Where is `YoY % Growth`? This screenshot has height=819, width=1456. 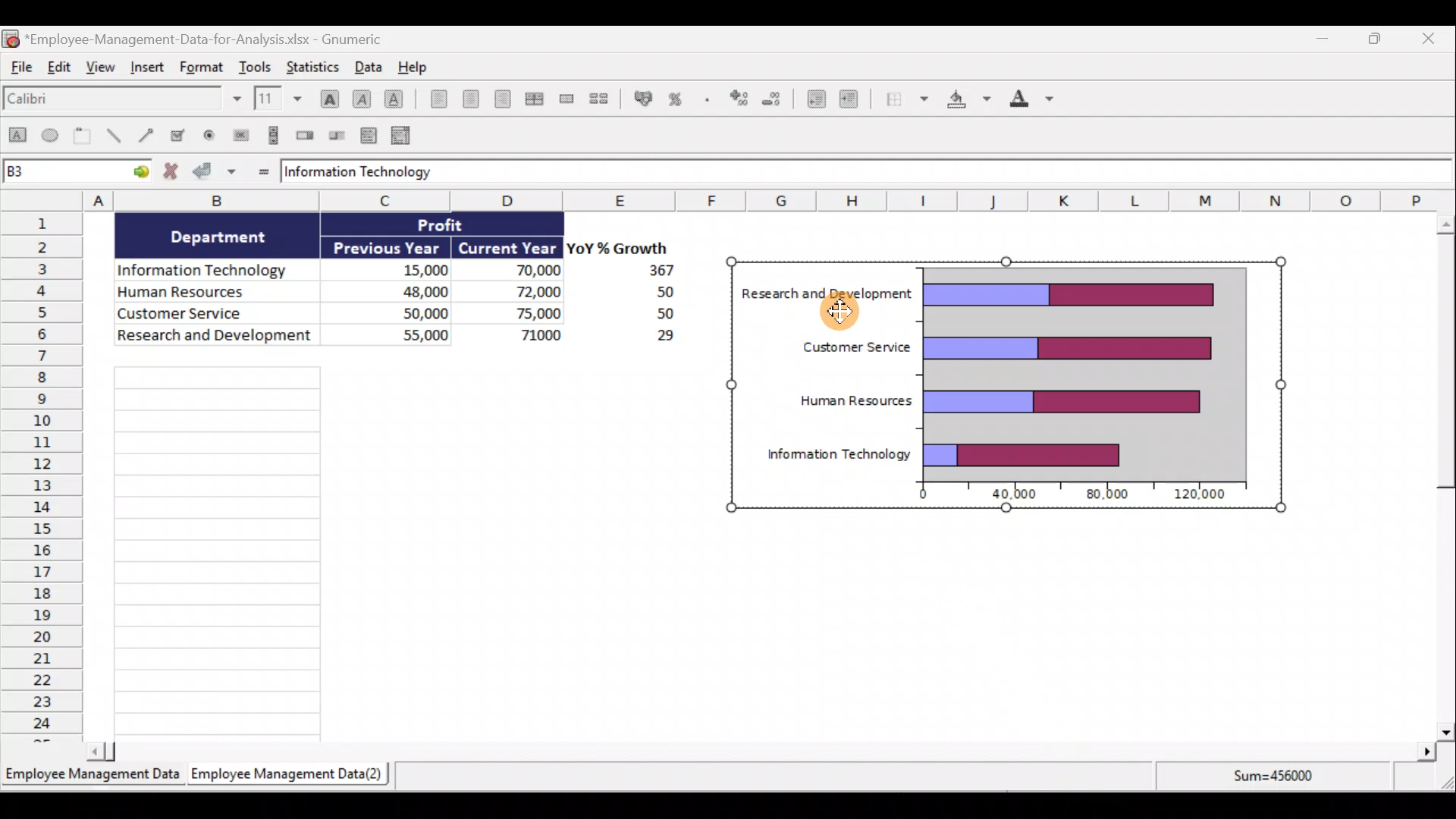
YoY % Growth is located at coordinates (620, 247).